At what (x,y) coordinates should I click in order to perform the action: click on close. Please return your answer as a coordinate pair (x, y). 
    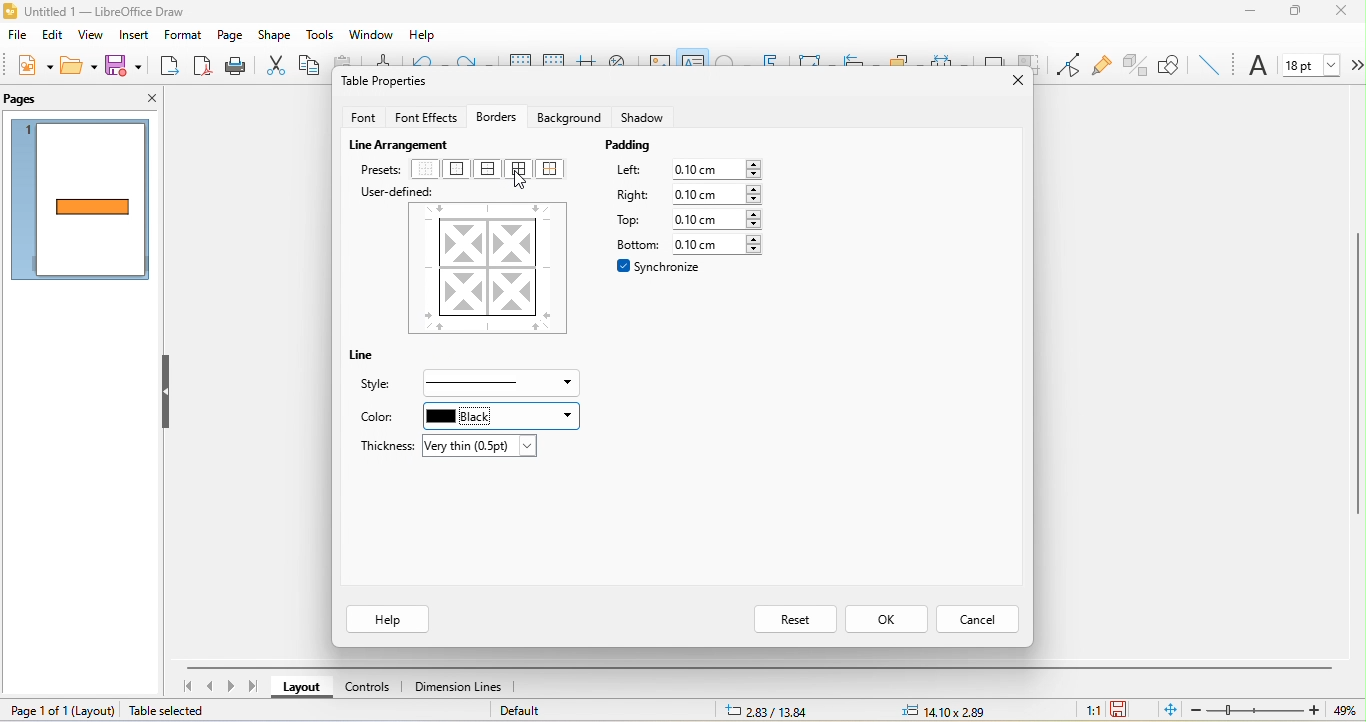
    Looking at the image, I should click on (150, 97).